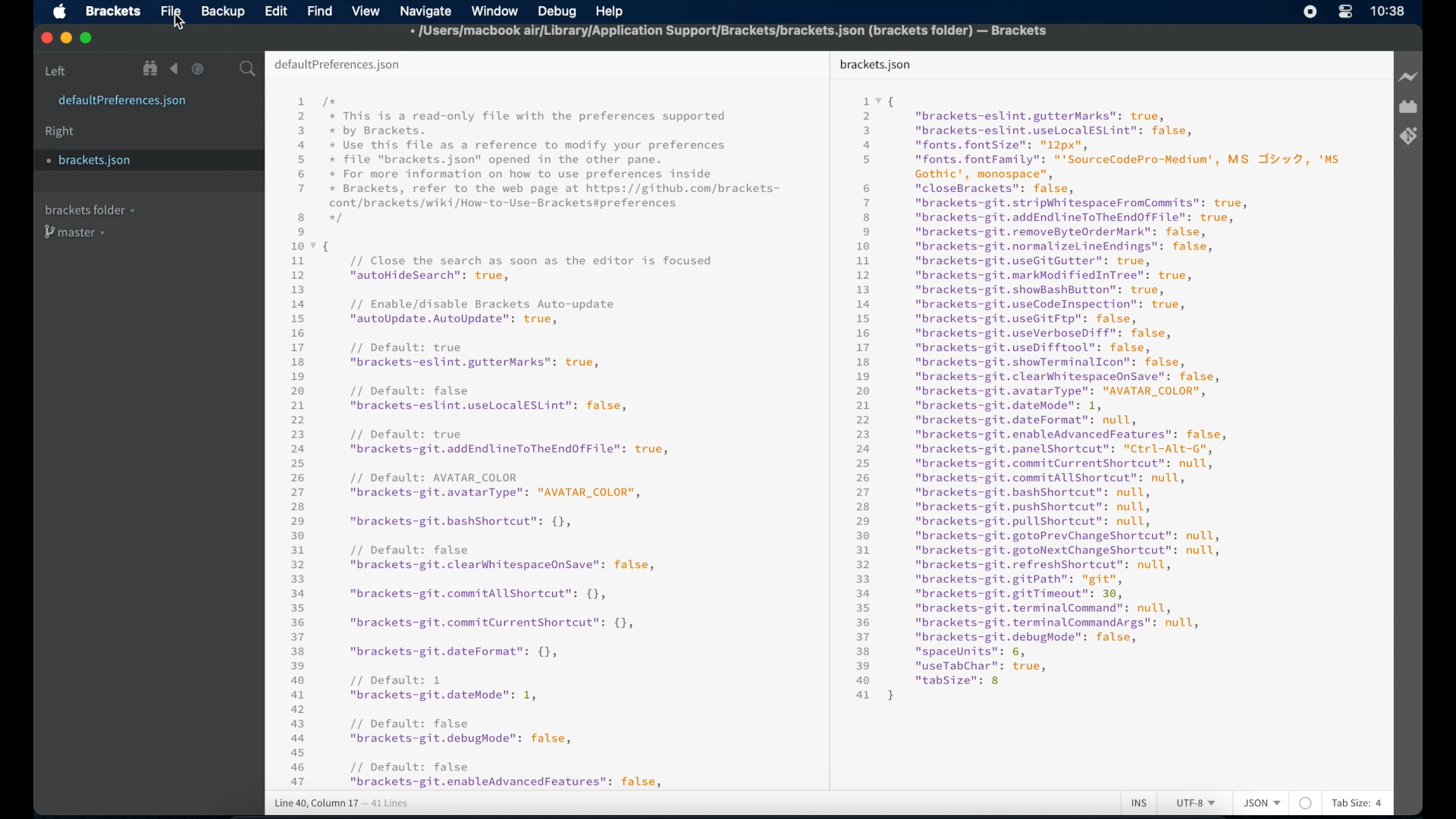 Image resolution: width=1456 pixels, height=819 pixels. What do you see at coordinates (1408, 136) in the screenshot?
I see `brackets  git extension` at bounding box center [1408, 136].